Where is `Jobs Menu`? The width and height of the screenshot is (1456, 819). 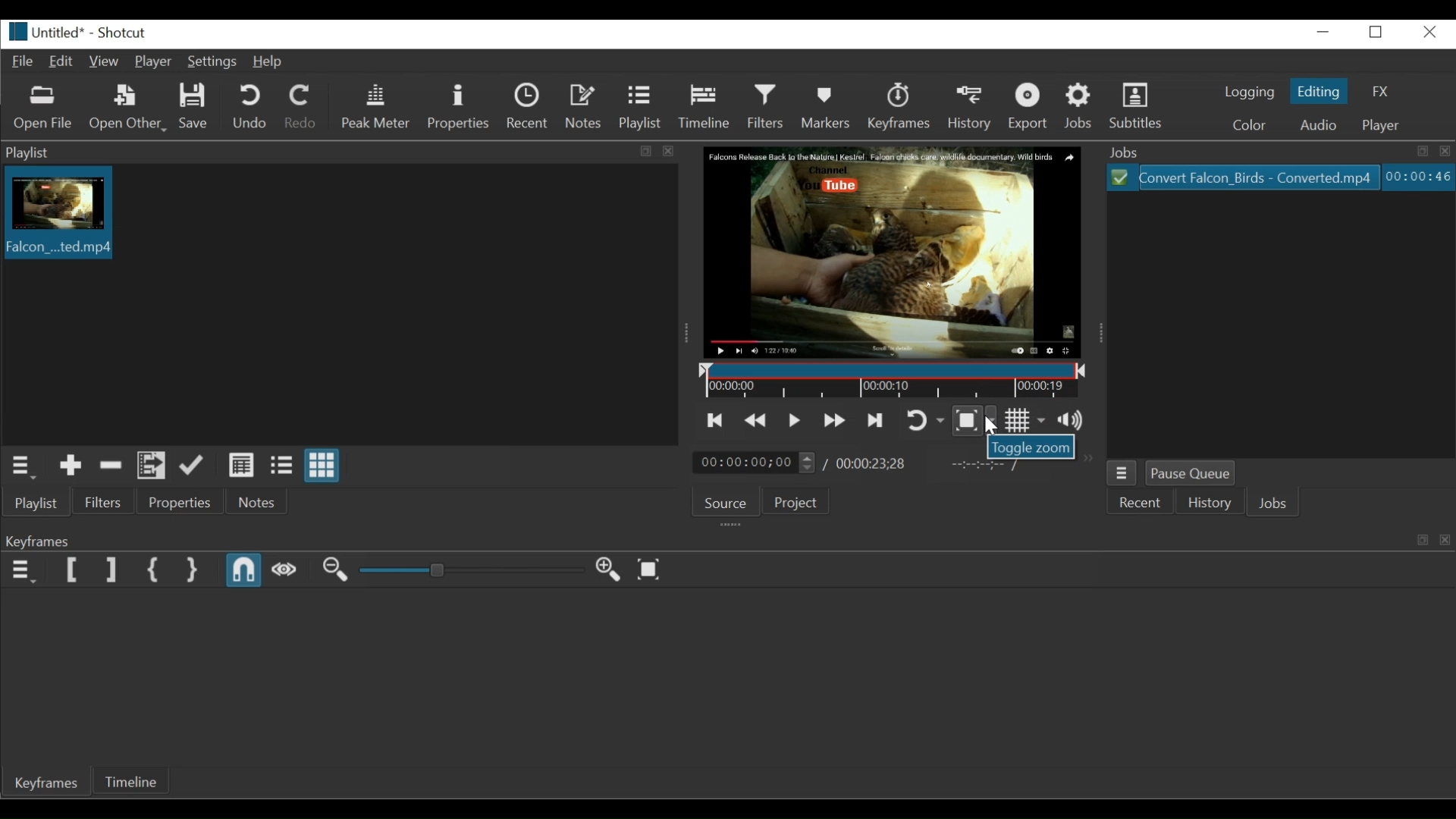
Jobs Menu is located at coordinates (1122, 473).